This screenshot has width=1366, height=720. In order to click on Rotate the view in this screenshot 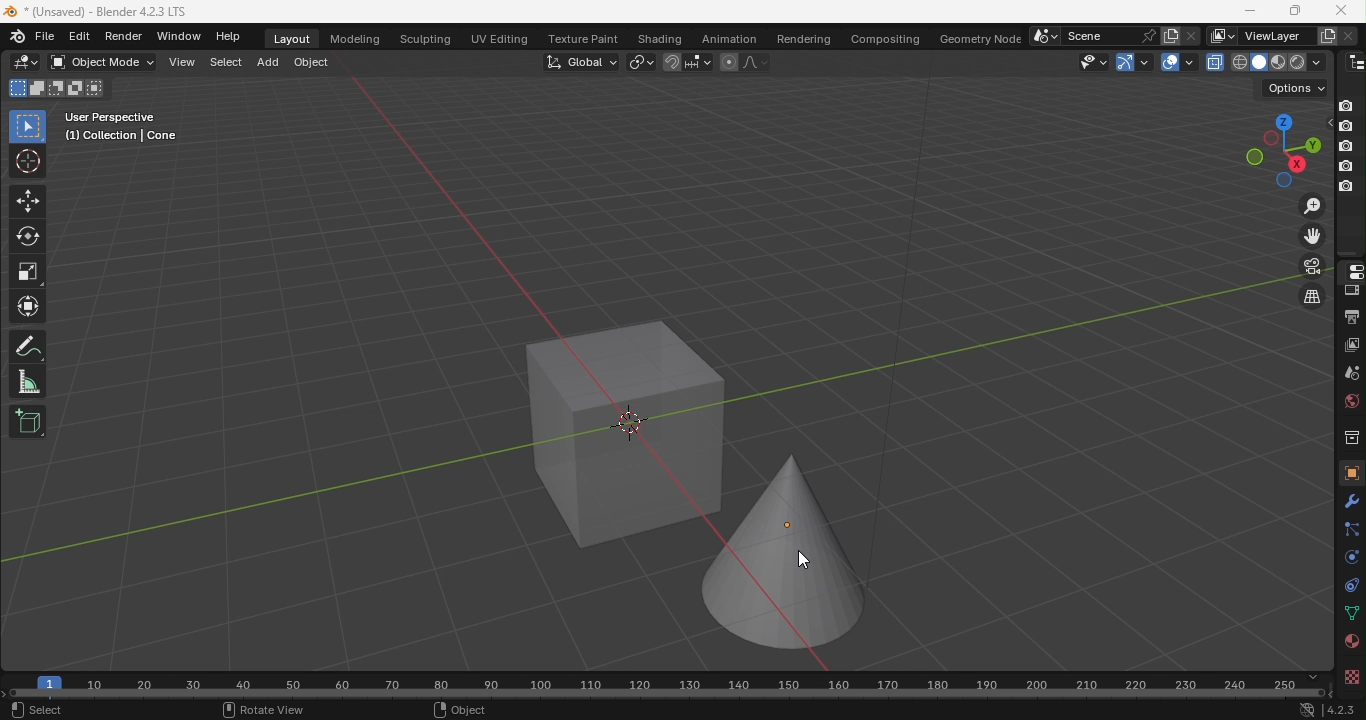, I will do `click(1281, 120)`.